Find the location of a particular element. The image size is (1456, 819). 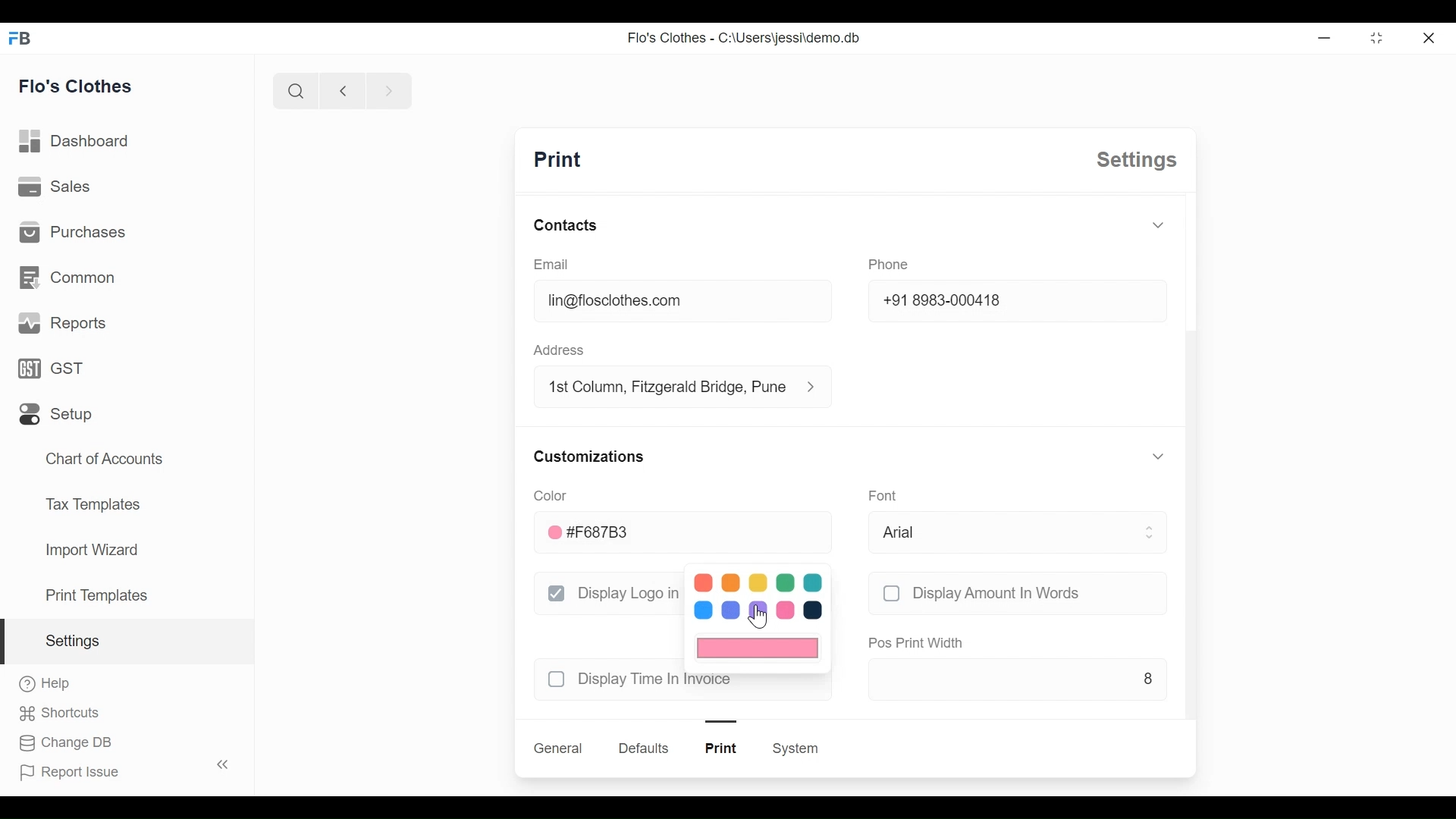

flo's clothes is located at coordinates (76, 86).